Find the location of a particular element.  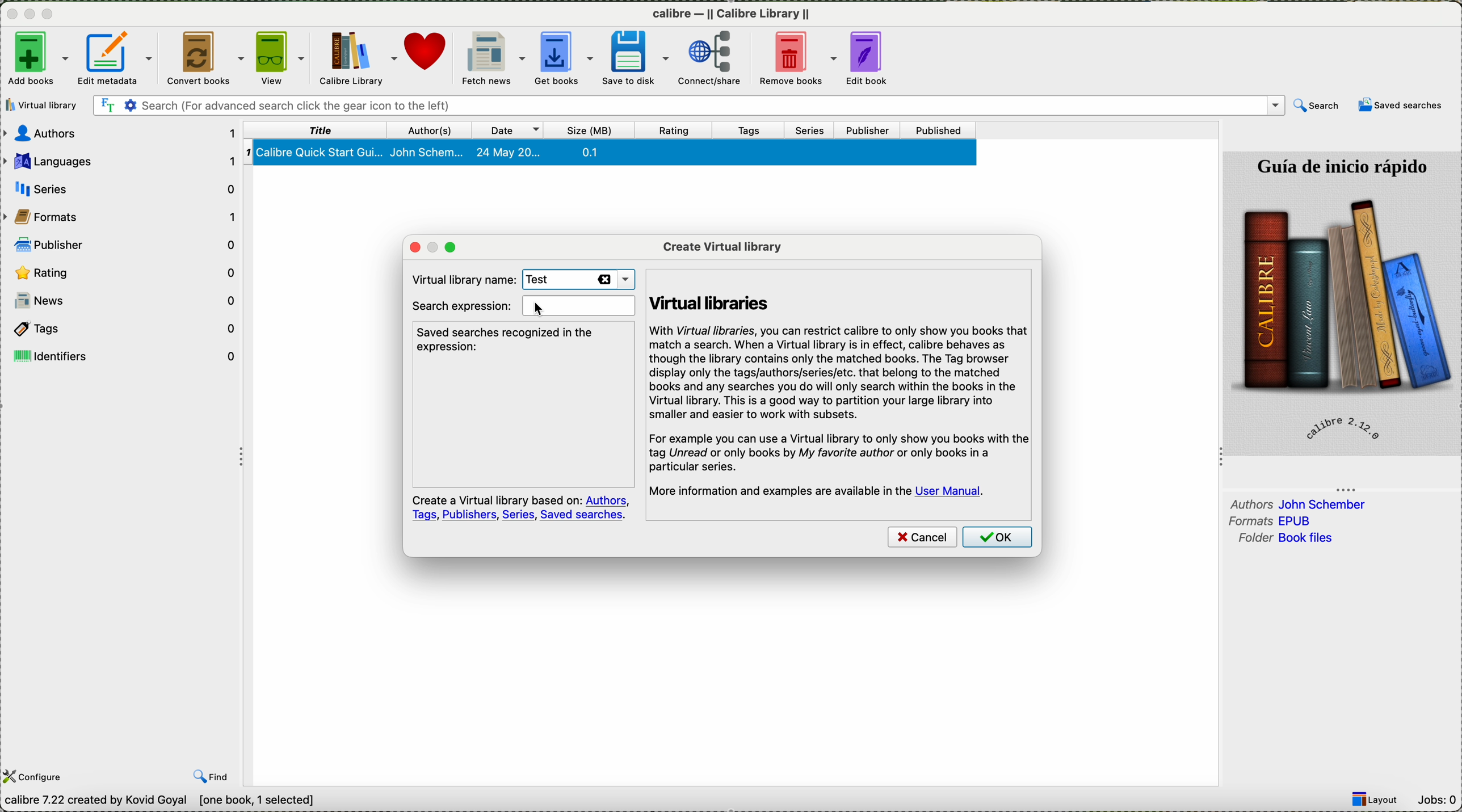

languages is located at coordinates (120, 161).